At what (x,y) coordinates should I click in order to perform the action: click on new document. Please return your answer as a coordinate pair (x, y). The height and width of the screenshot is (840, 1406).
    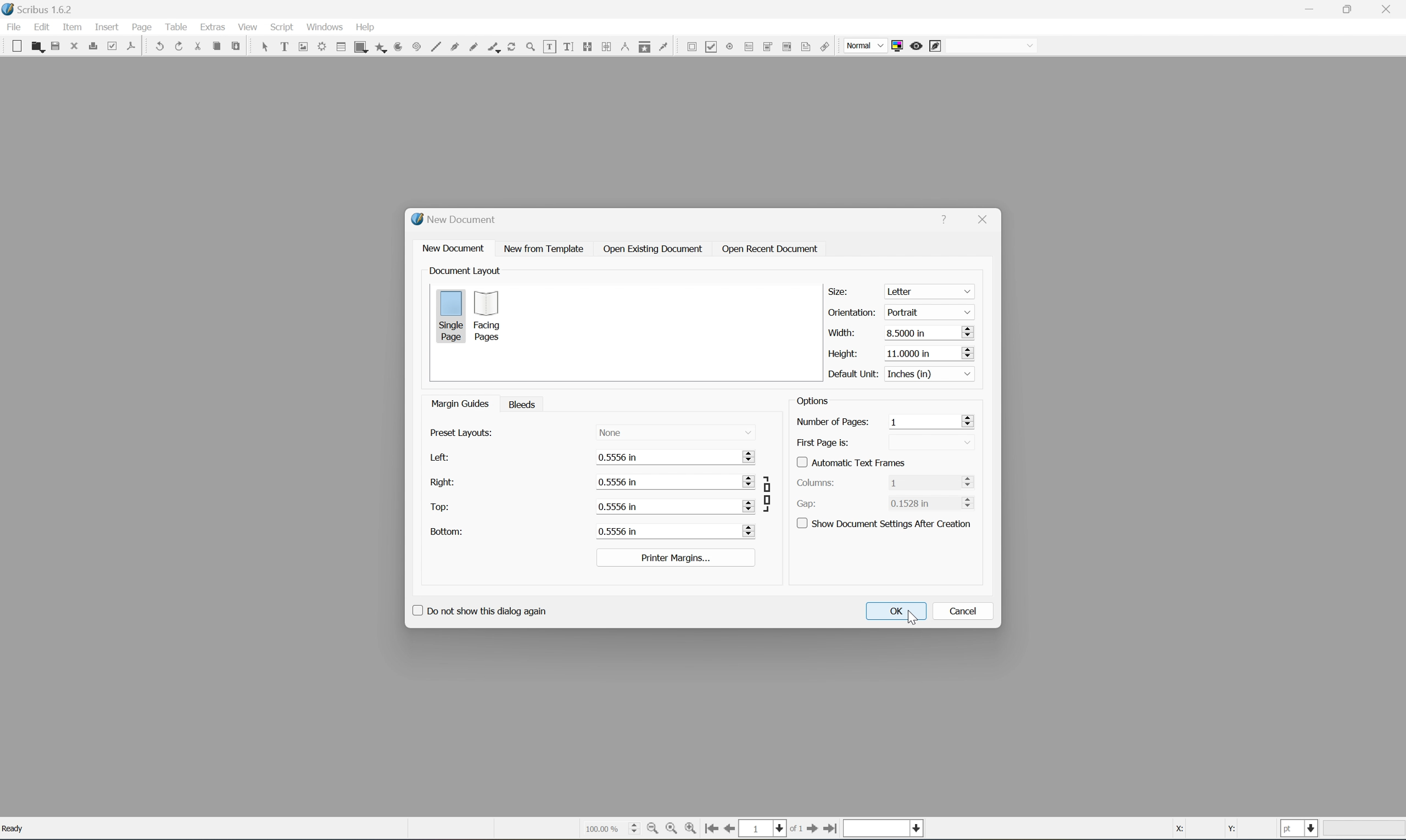
    Looking at the image, I should click on (452, 247).